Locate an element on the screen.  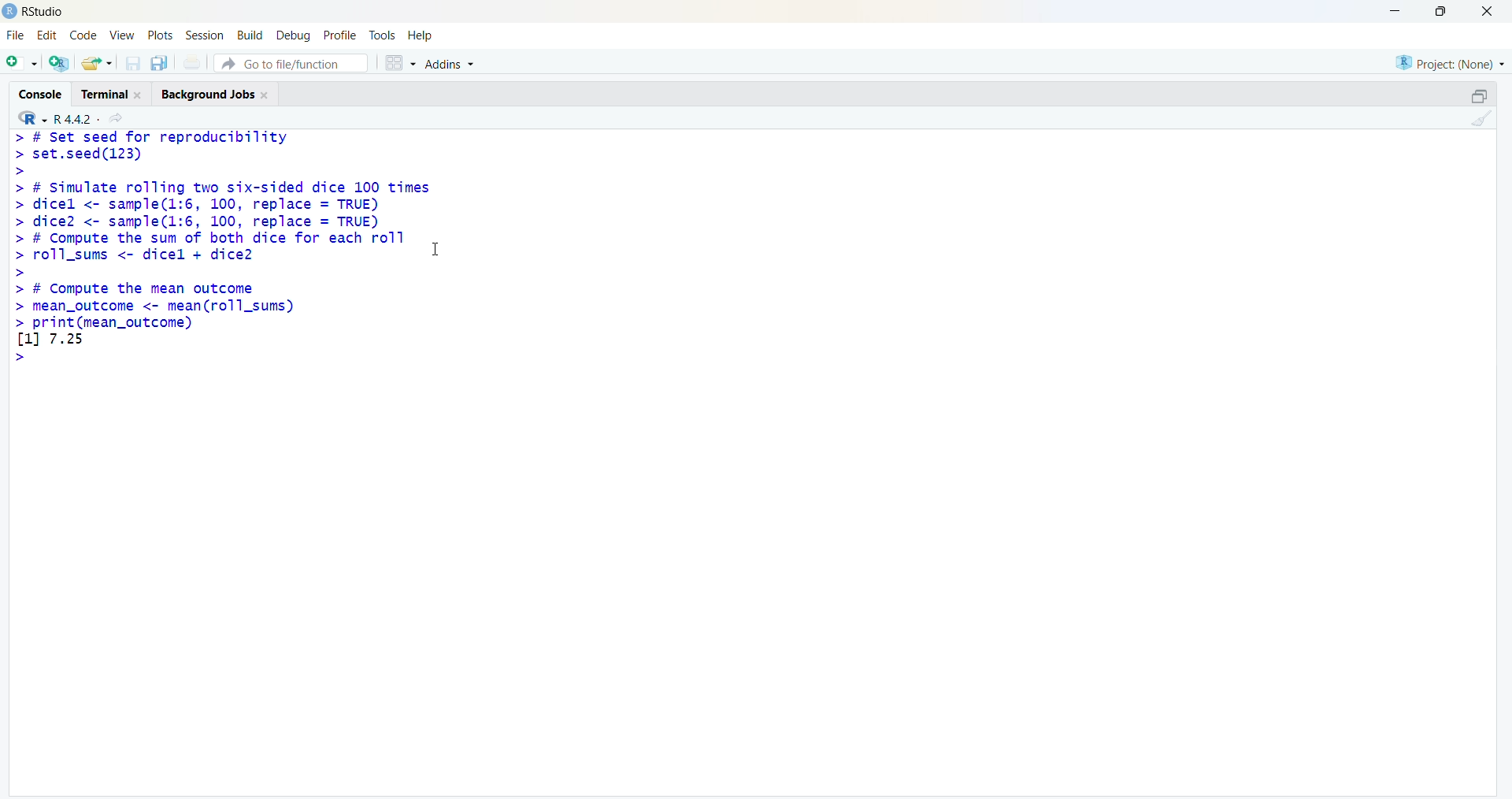
help is located at coordinates (422, 36).